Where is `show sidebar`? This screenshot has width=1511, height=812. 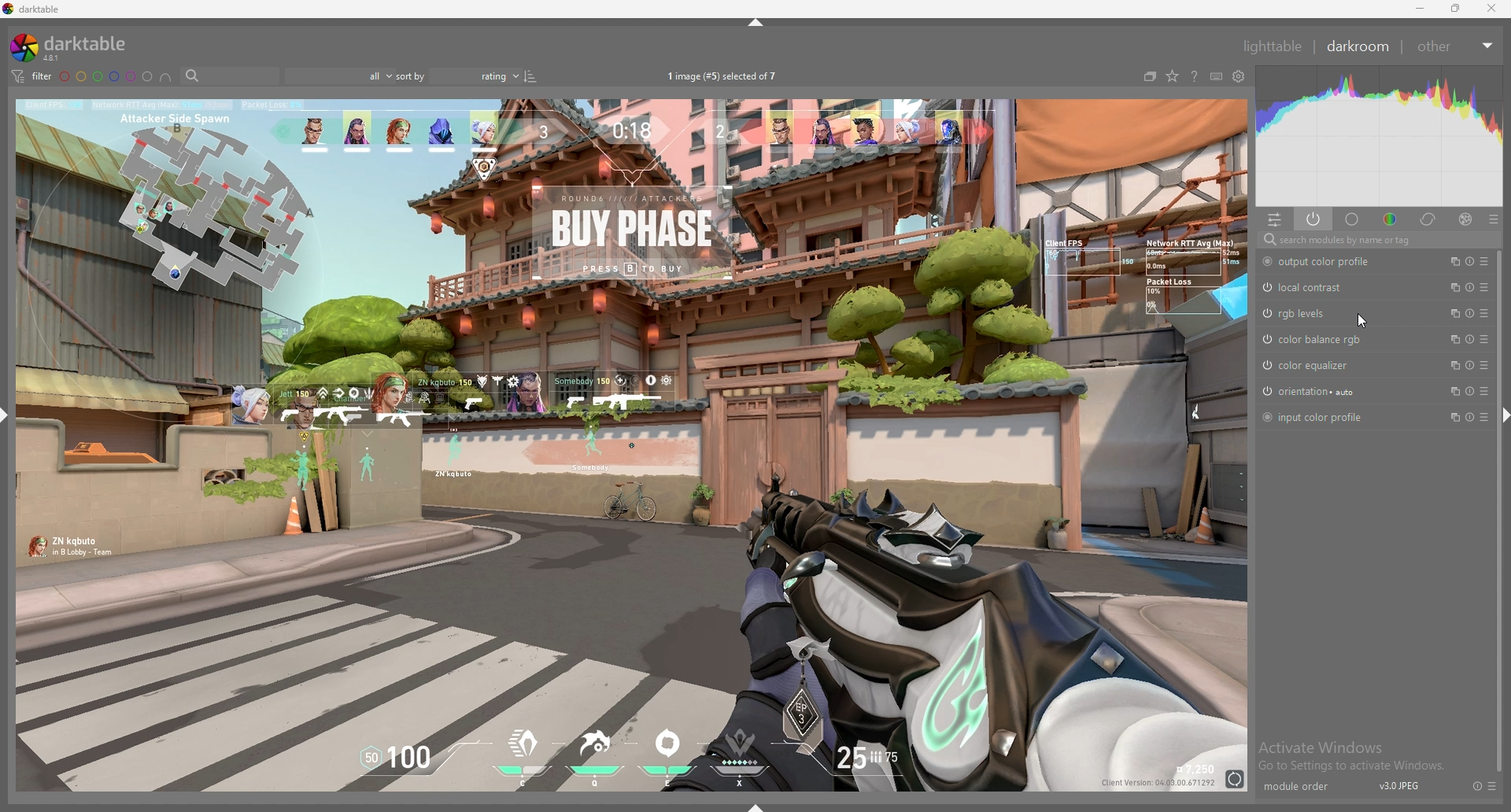 show sidebar is located at coordinates (5, 414).